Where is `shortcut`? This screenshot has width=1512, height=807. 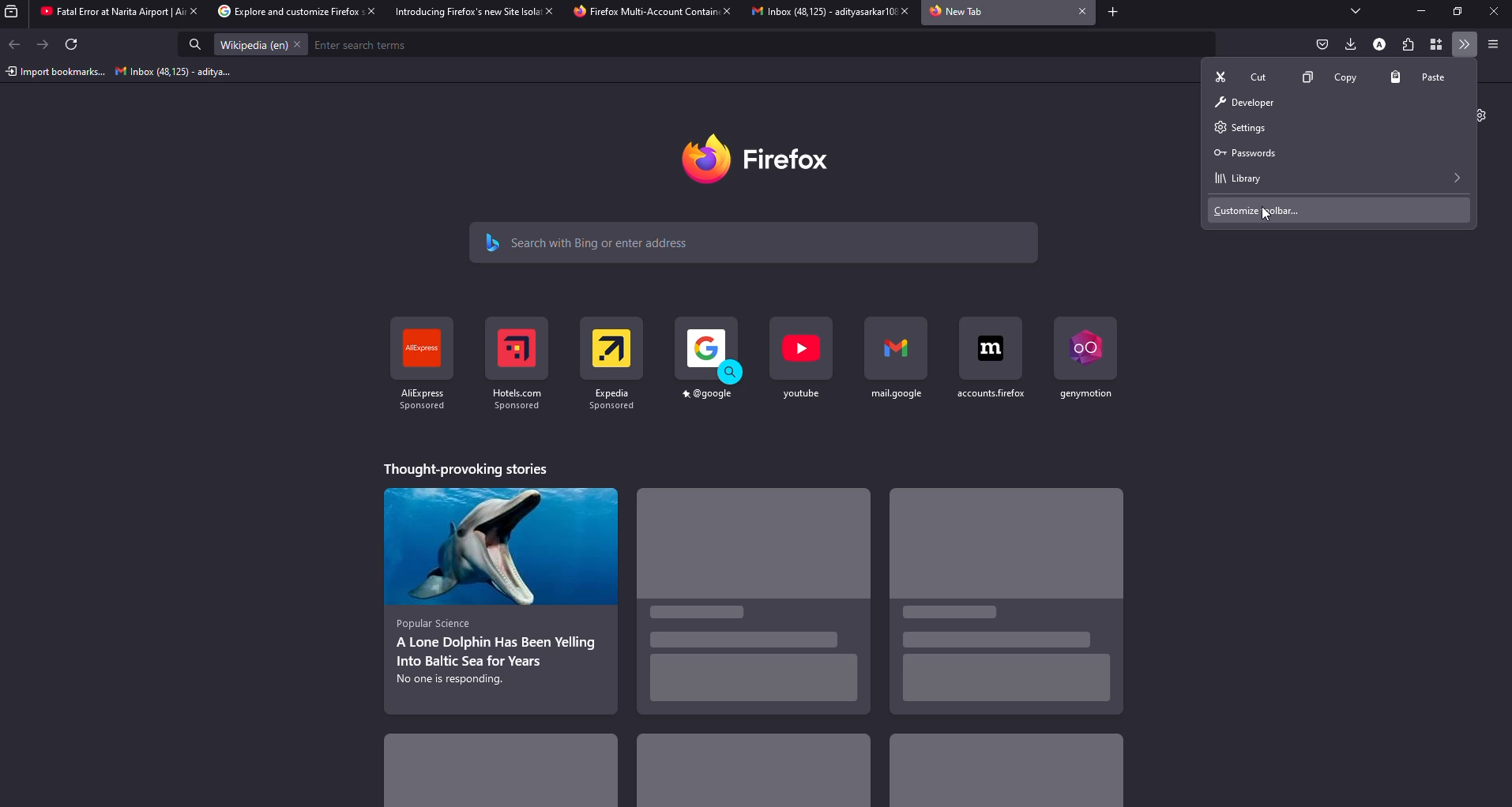
shortcut is located at coordinates (515, 363).